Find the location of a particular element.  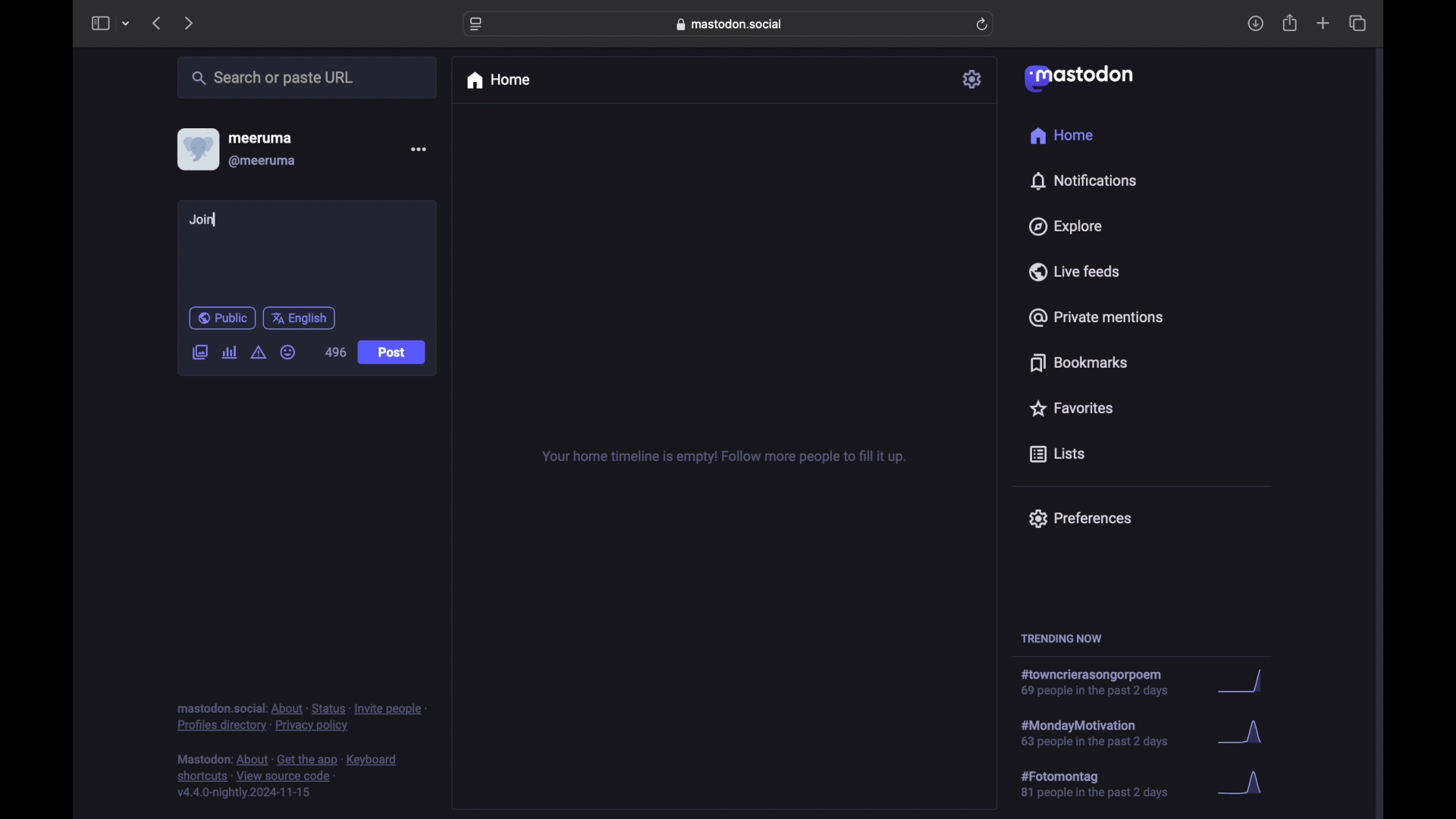

favorites is located at coordinates (1070, 408).